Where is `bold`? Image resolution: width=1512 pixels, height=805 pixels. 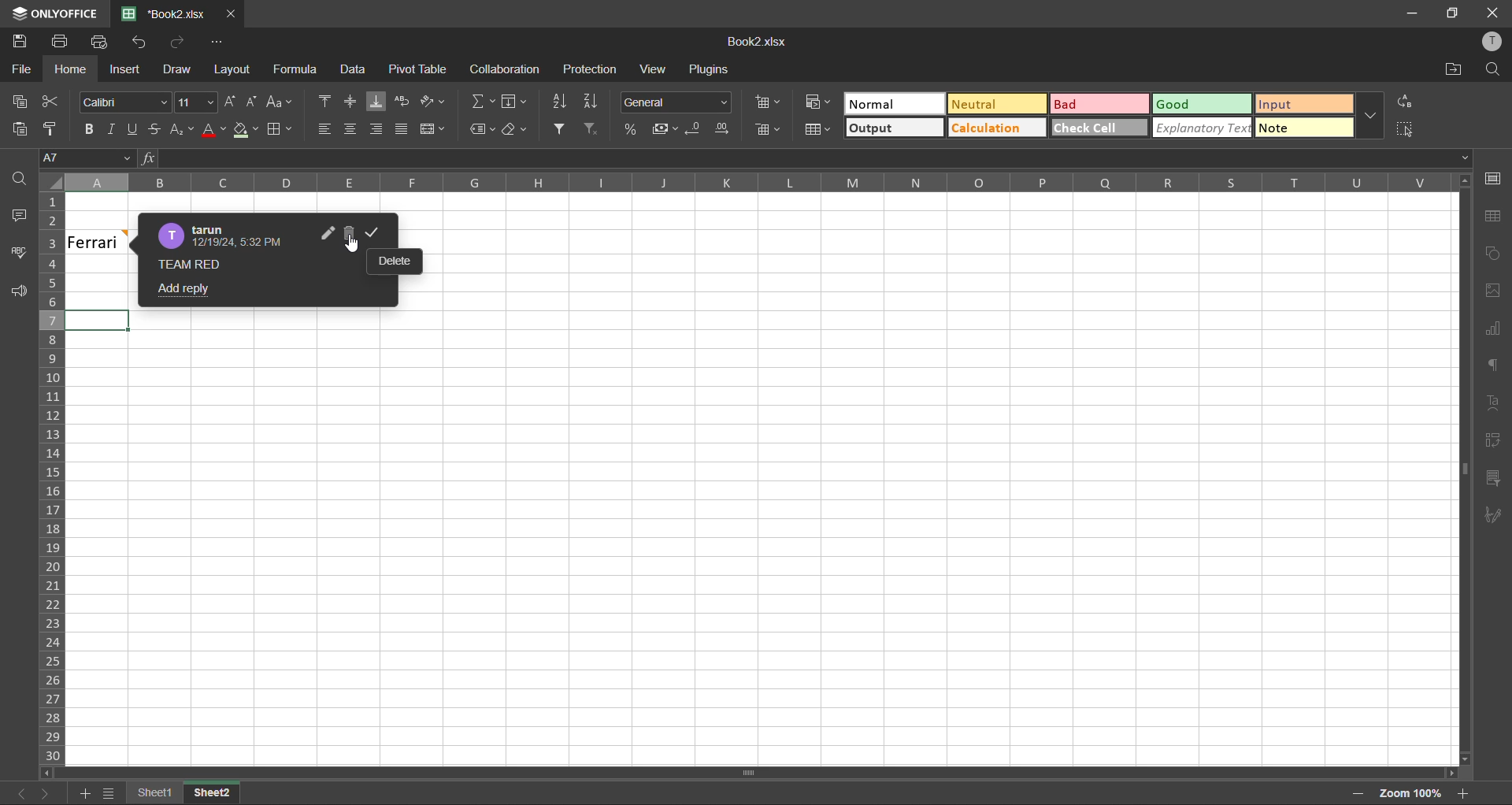 bold is located at coordinates (91, 126).